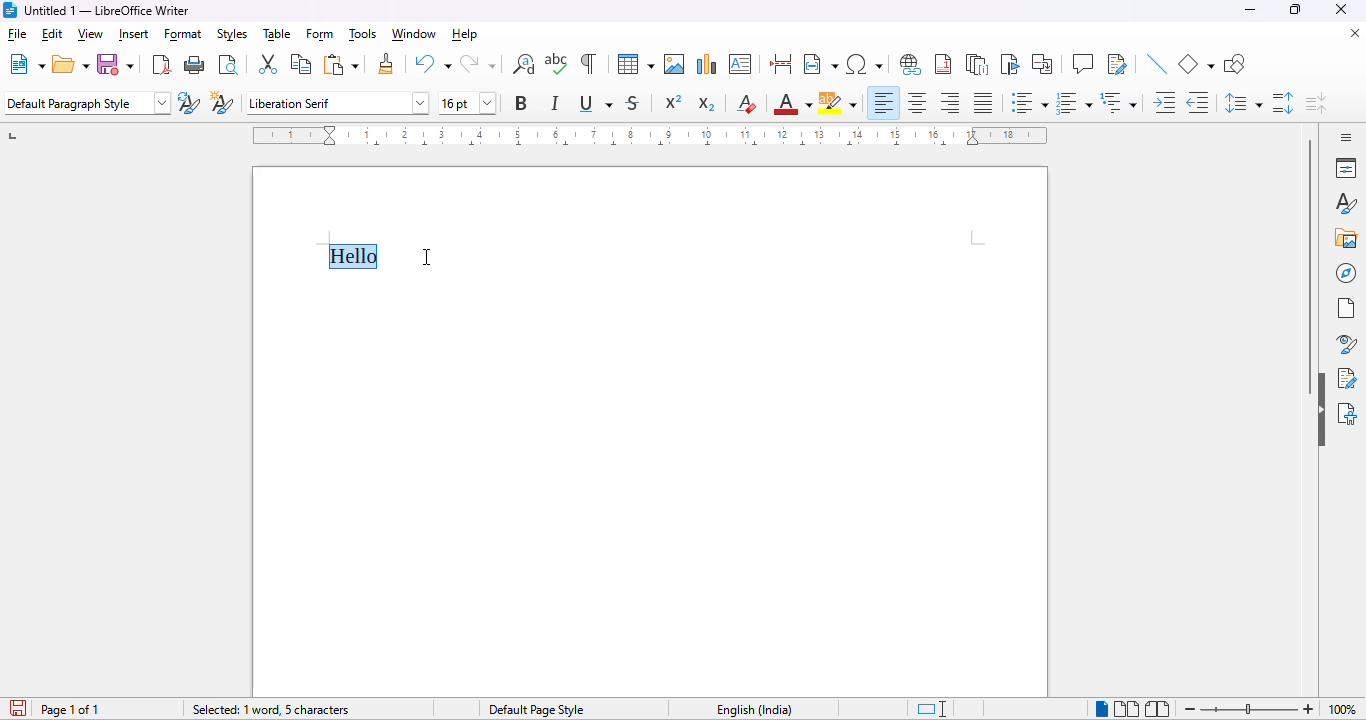  Describe the element at coordinates (1296, 10) in the screenshot. I see `maximize` at that location.